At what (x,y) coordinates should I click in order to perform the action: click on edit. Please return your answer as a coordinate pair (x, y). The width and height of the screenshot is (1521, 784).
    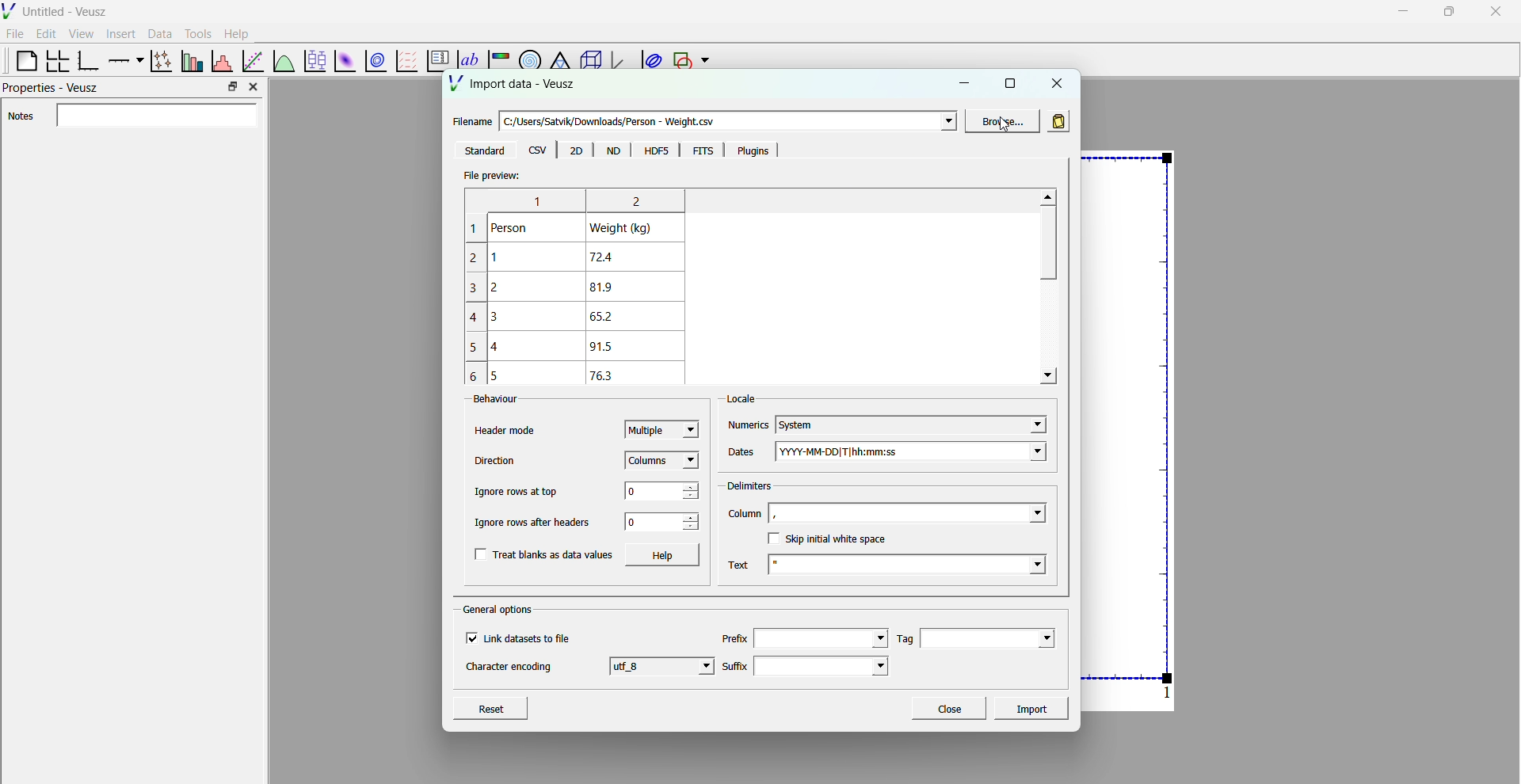
    Looking at the image, I should click on (48, 34).